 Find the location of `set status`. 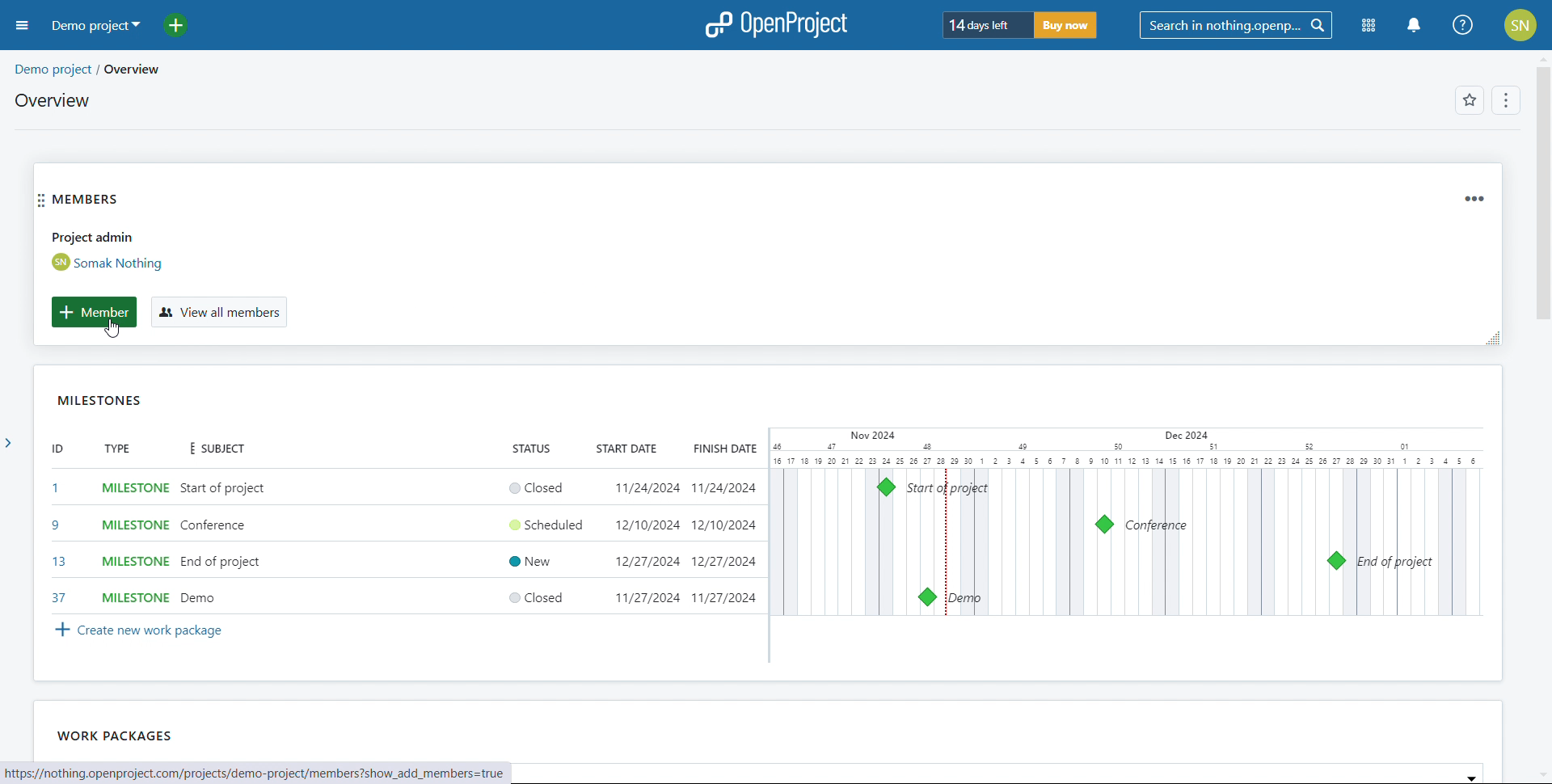

set status is located at coordinates (536, 487).